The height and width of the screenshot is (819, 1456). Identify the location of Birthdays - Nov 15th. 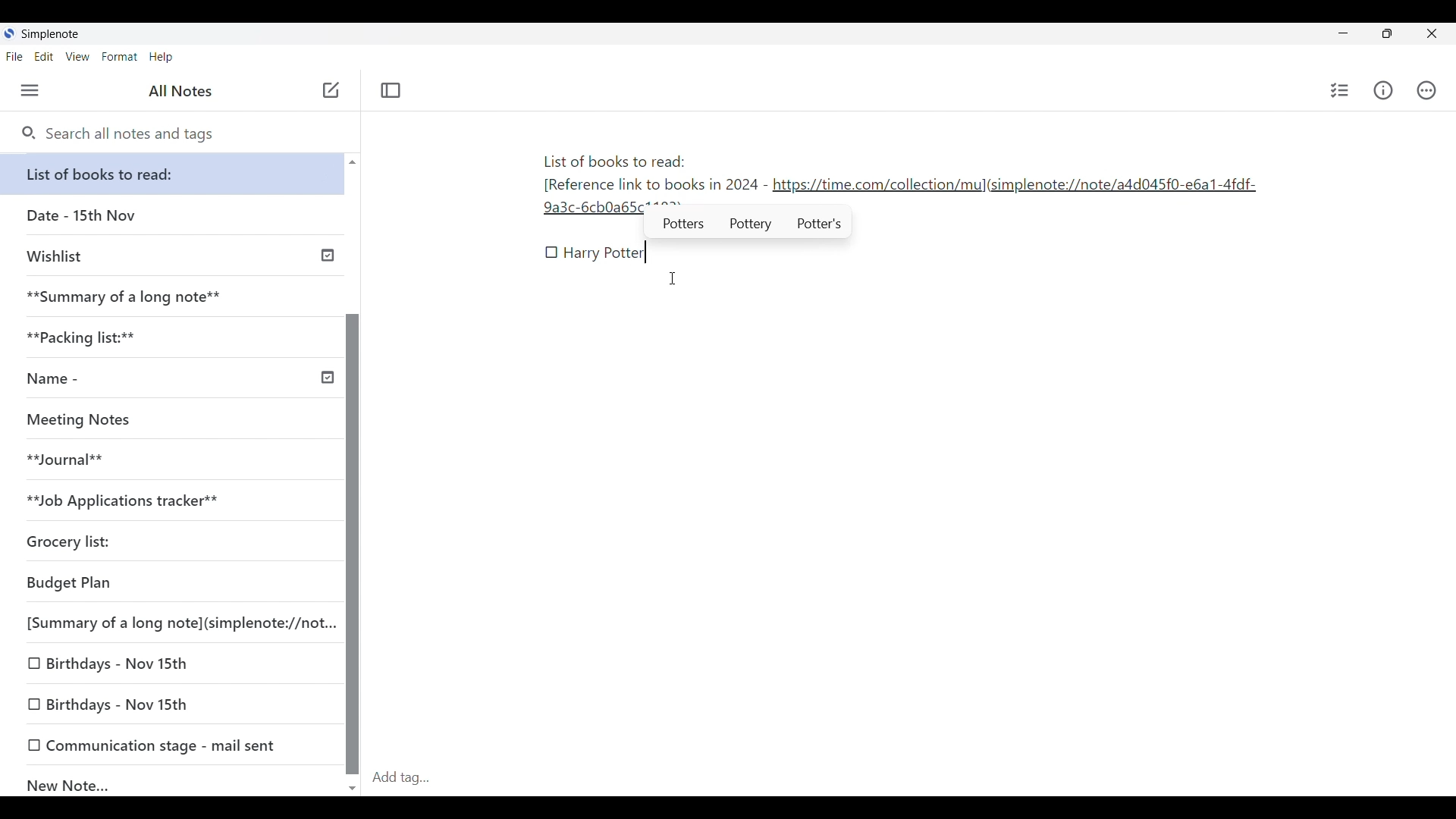
(171, 664).